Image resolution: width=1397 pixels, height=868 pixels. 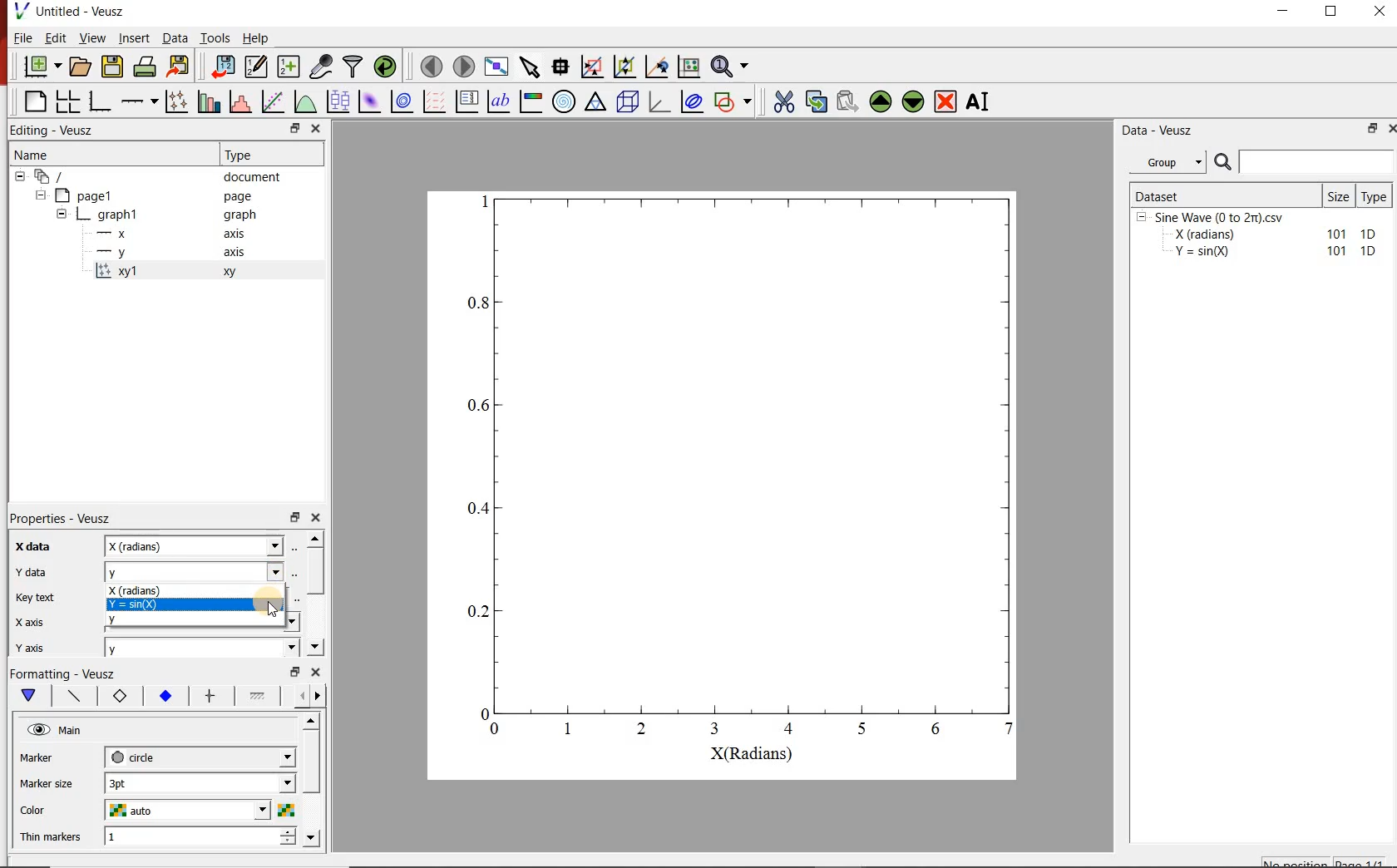 I want to click on edit and enter new datasets, so click(x=257, y=67).